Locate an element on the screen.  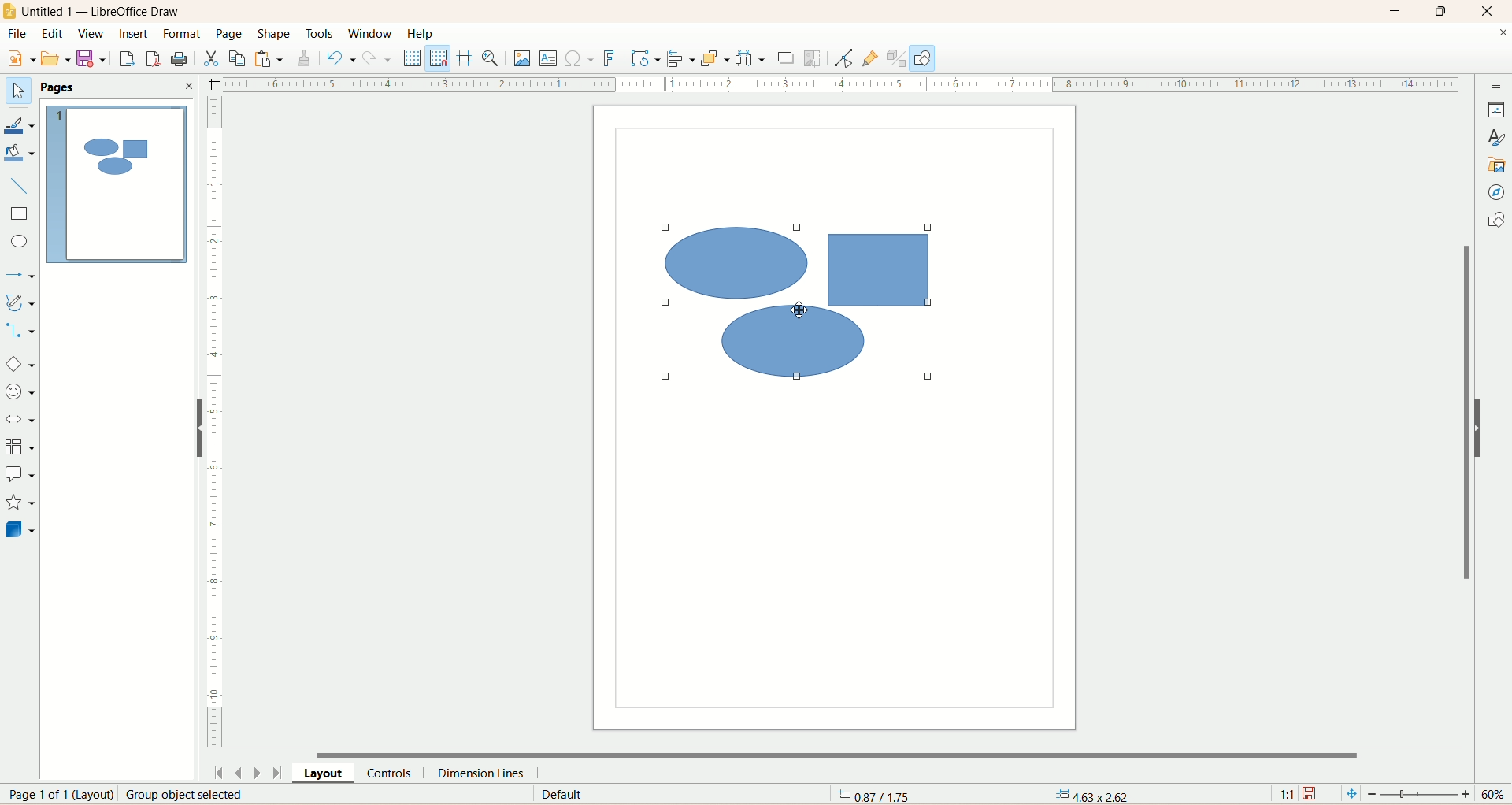
insert image is located at coordinates (524, 59).